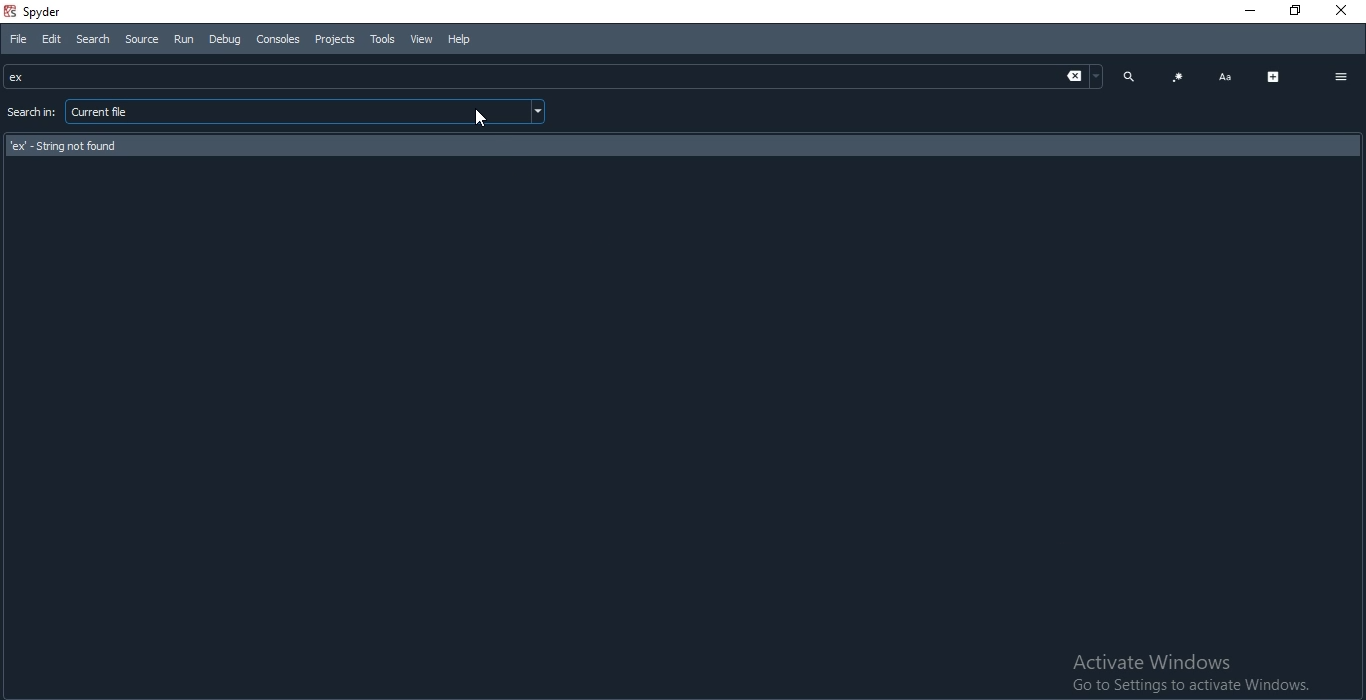 This screenshot has width=1366, height=700. Describe the element at coordinates (16, 39) in the screenshot. I see `File ` at that location.